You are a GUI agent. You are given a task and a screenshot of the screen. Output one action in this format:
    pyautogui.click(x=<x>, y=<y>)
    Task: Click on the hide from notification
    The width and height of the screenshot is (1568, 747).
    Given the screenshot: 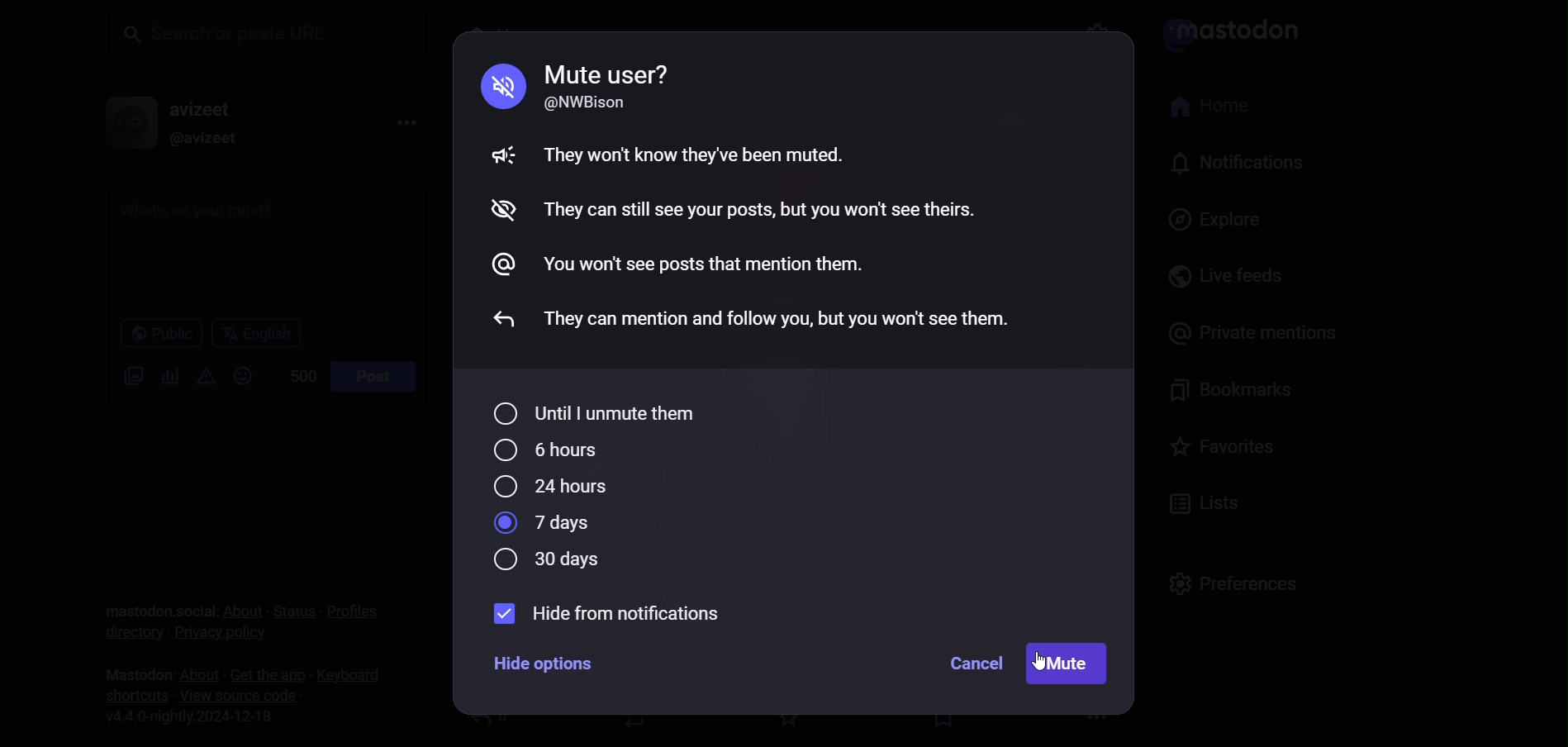 What is the action you would take?
    pyautogui.click(x=612, y=617)
    